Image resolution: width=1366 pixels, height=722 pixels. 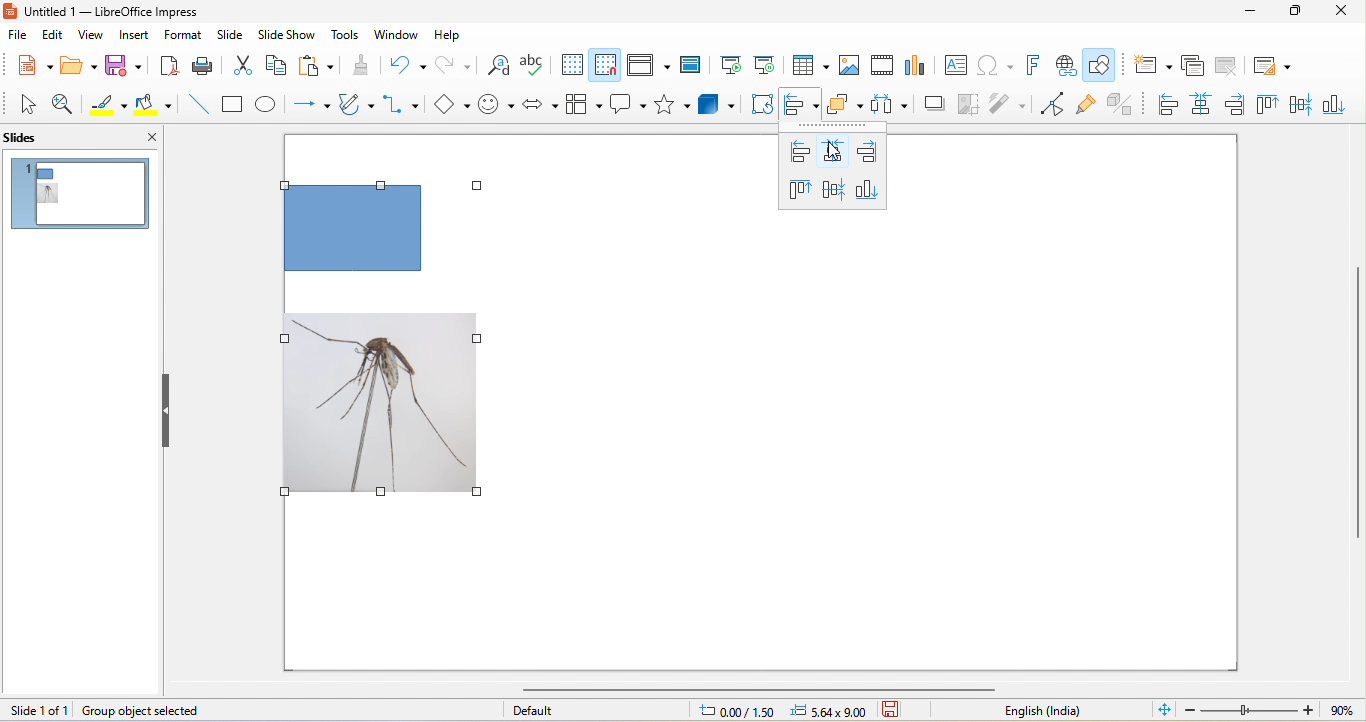 I want to click on new, so click(x=28, y=64).